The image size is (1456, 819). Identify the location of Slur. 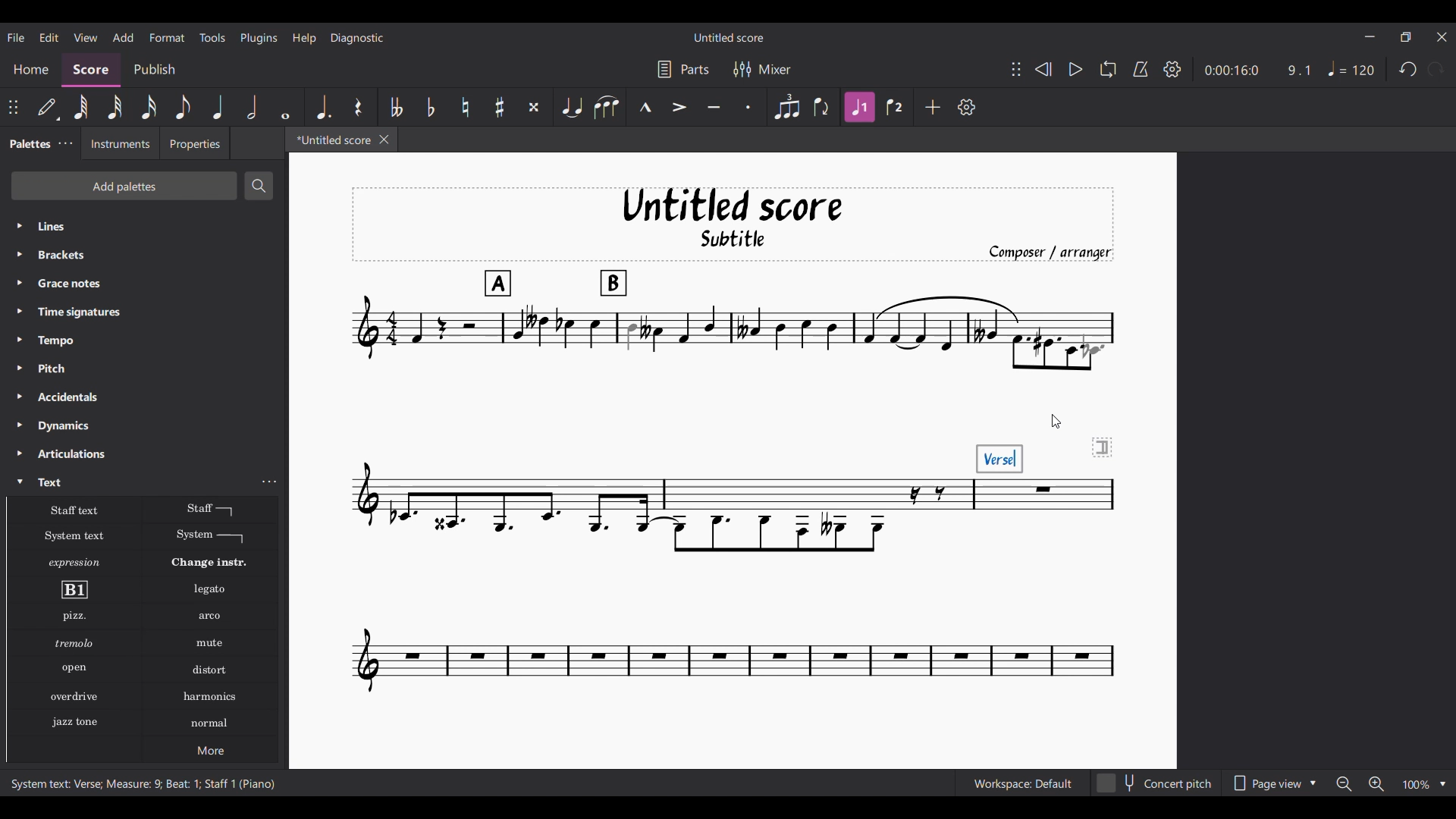
(607, 107).